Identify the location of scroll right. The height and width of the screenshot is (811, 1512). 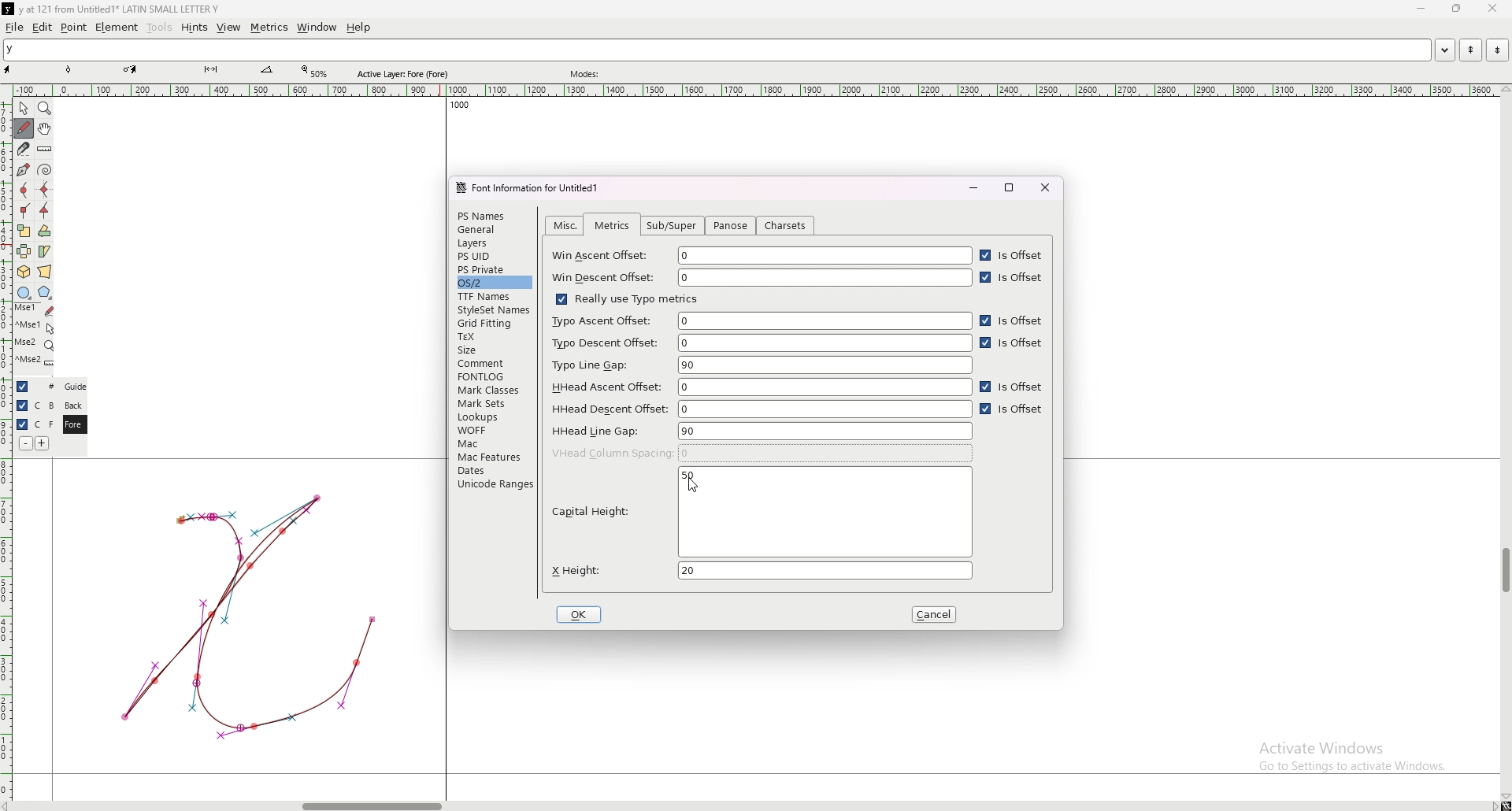
(10, 805).